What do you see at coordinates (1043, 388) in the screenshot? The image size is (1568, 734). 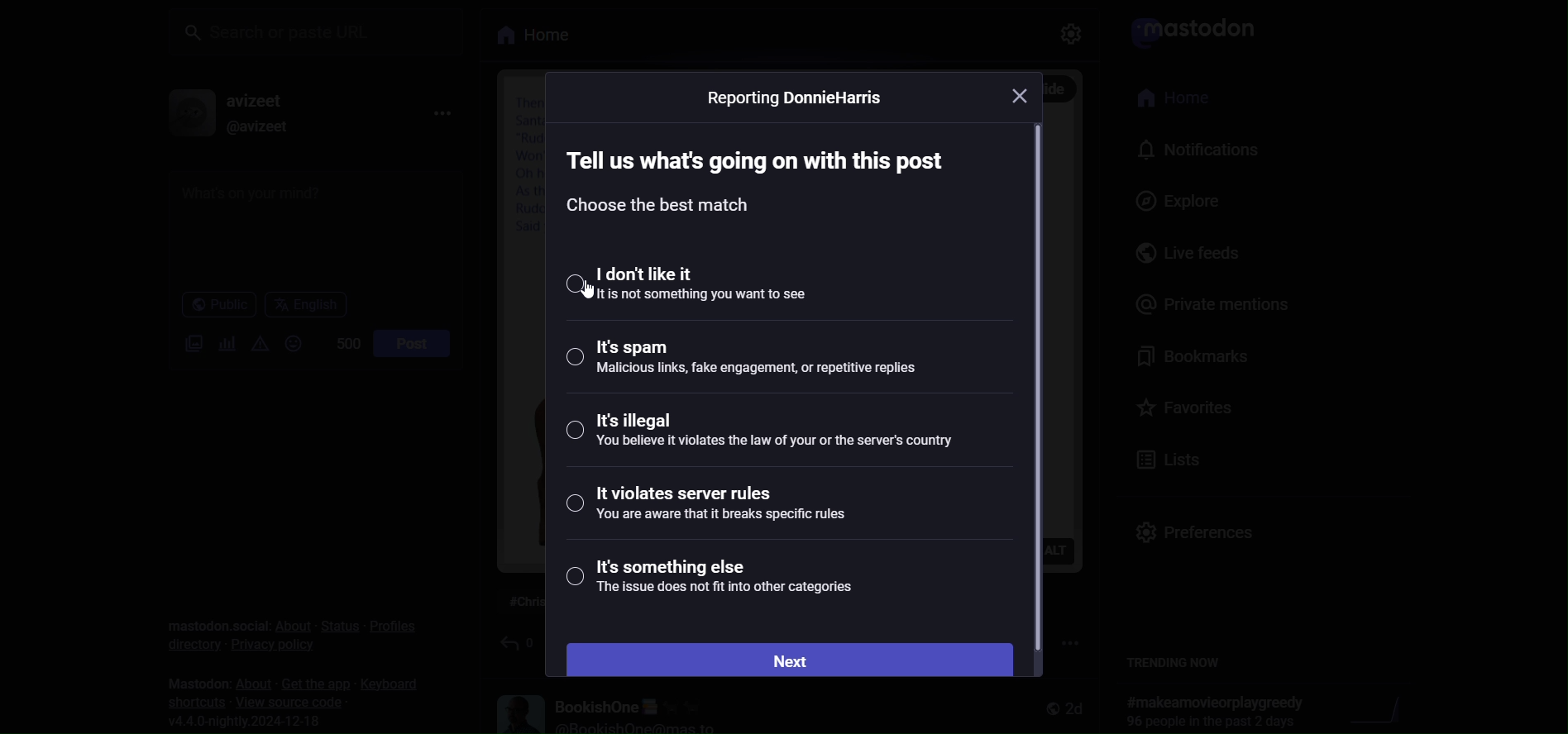 I see `scroll bar` at bounding box center [1043, 388].